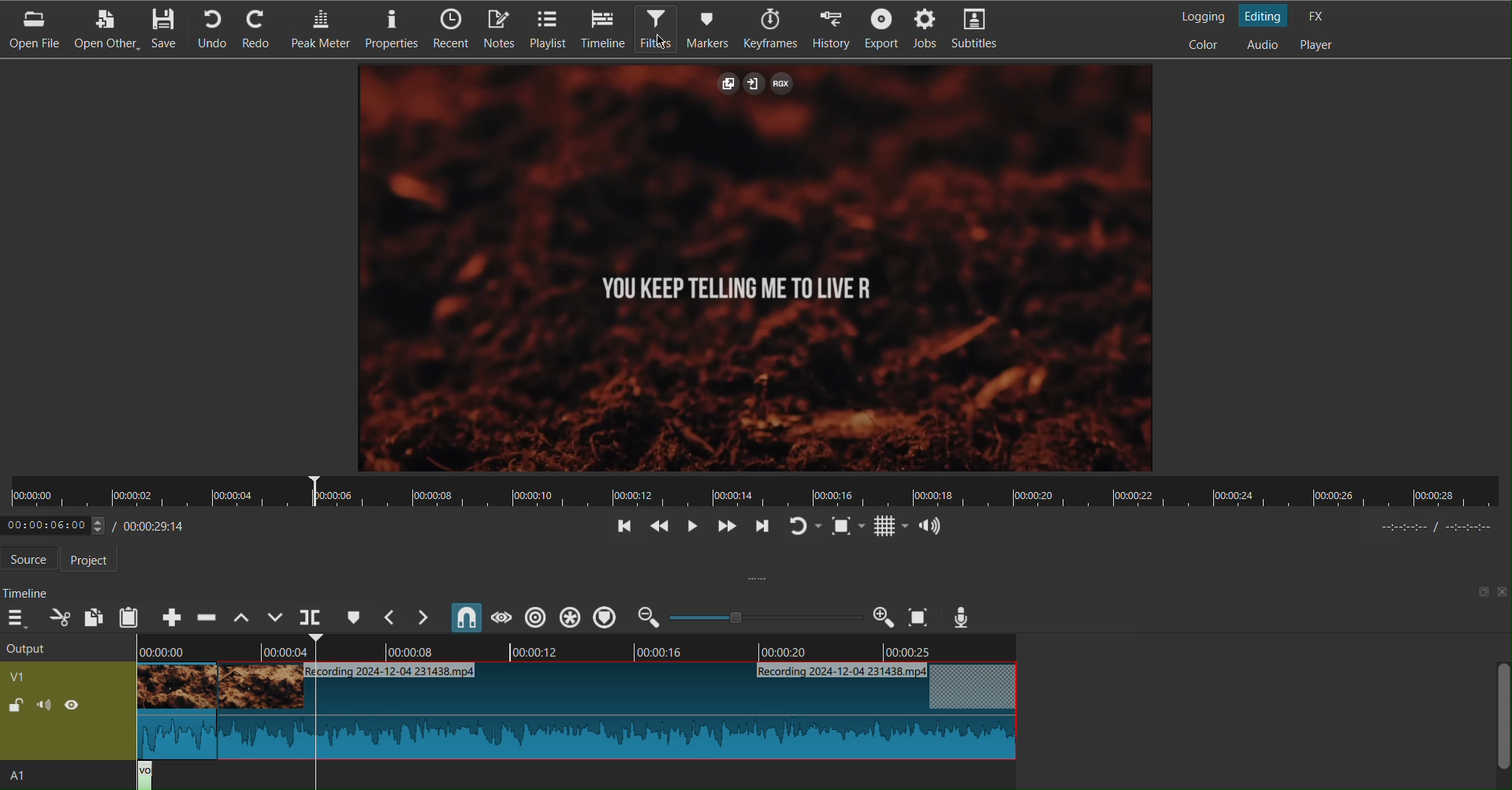 This screenshot has width=1512, height=790. I want to click on Playerhead Split, so click(311, 617).